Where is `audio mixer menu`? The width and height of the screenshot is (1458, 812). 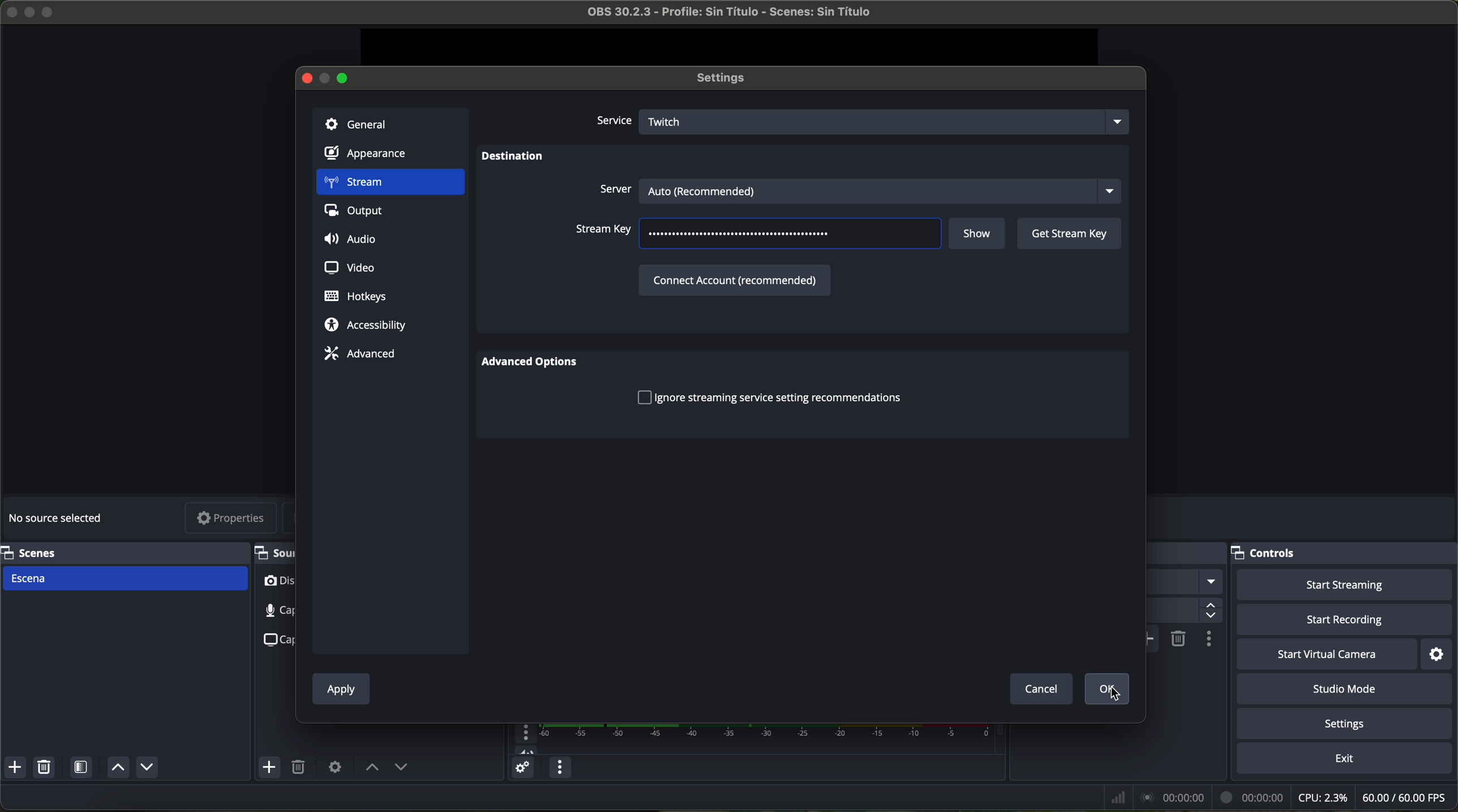
audio mixer menu is located at coordinates (558, 768).